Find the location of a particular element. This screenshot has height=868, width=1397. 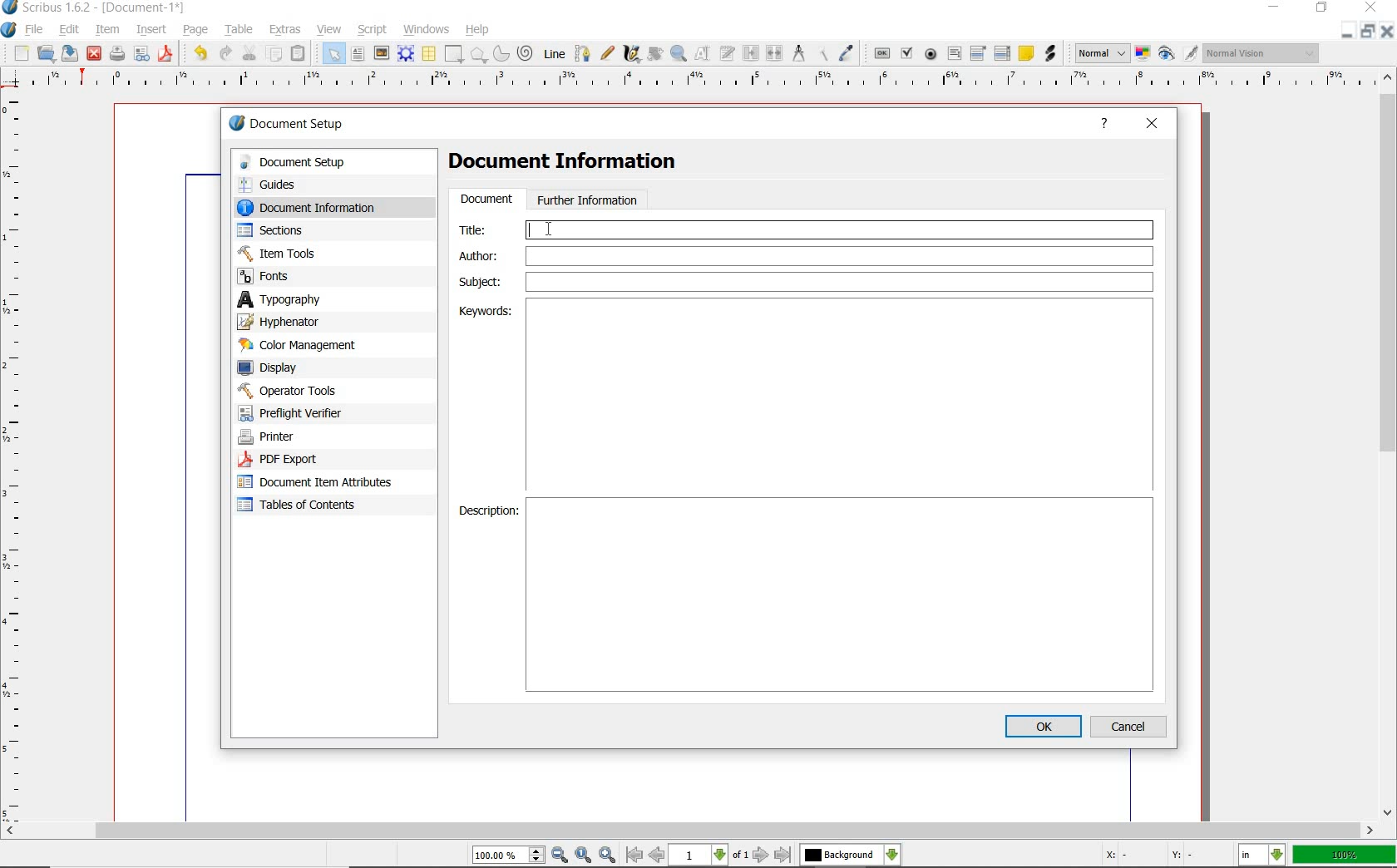

edit contents of frame is located at coordinates (704, 55).